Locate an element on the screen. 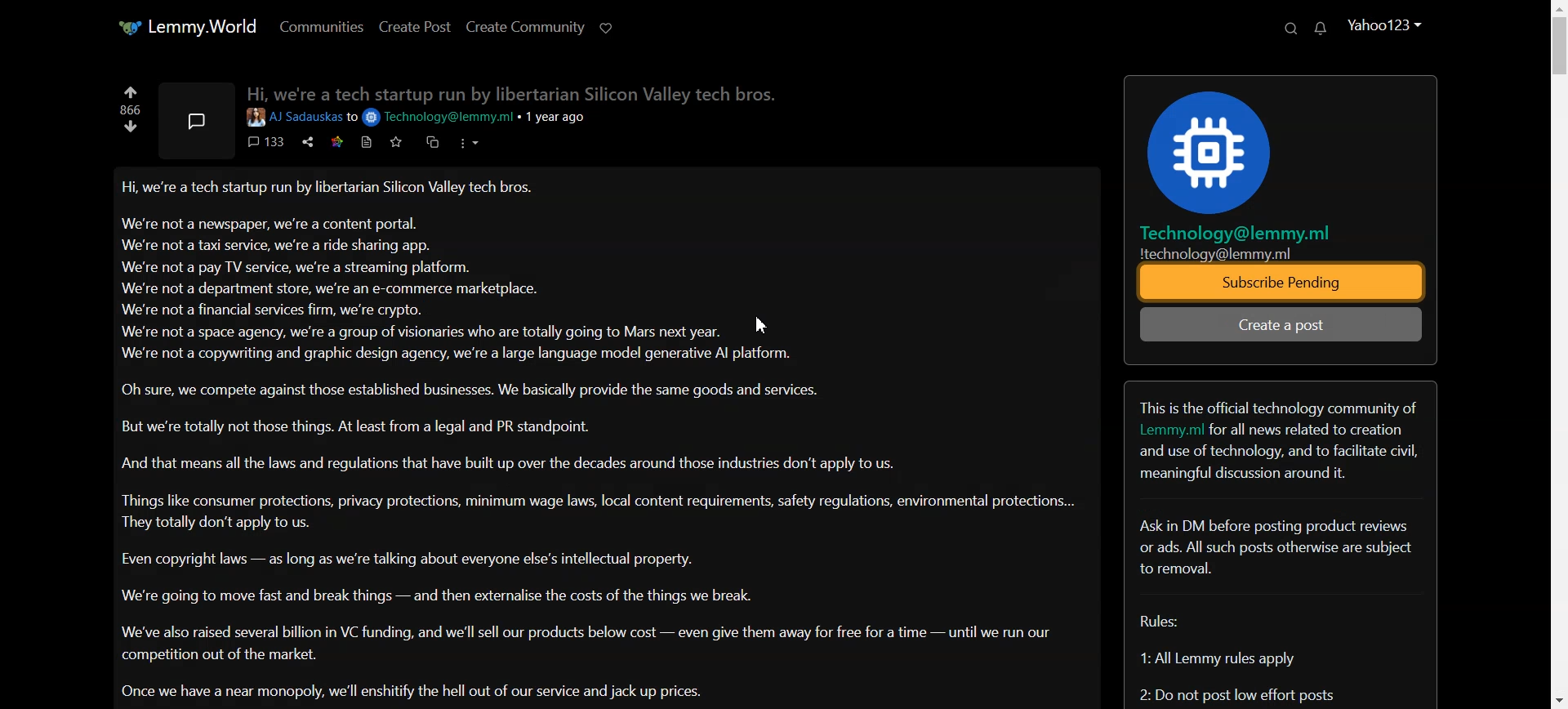  Home page is located at coordinates (188, 27).